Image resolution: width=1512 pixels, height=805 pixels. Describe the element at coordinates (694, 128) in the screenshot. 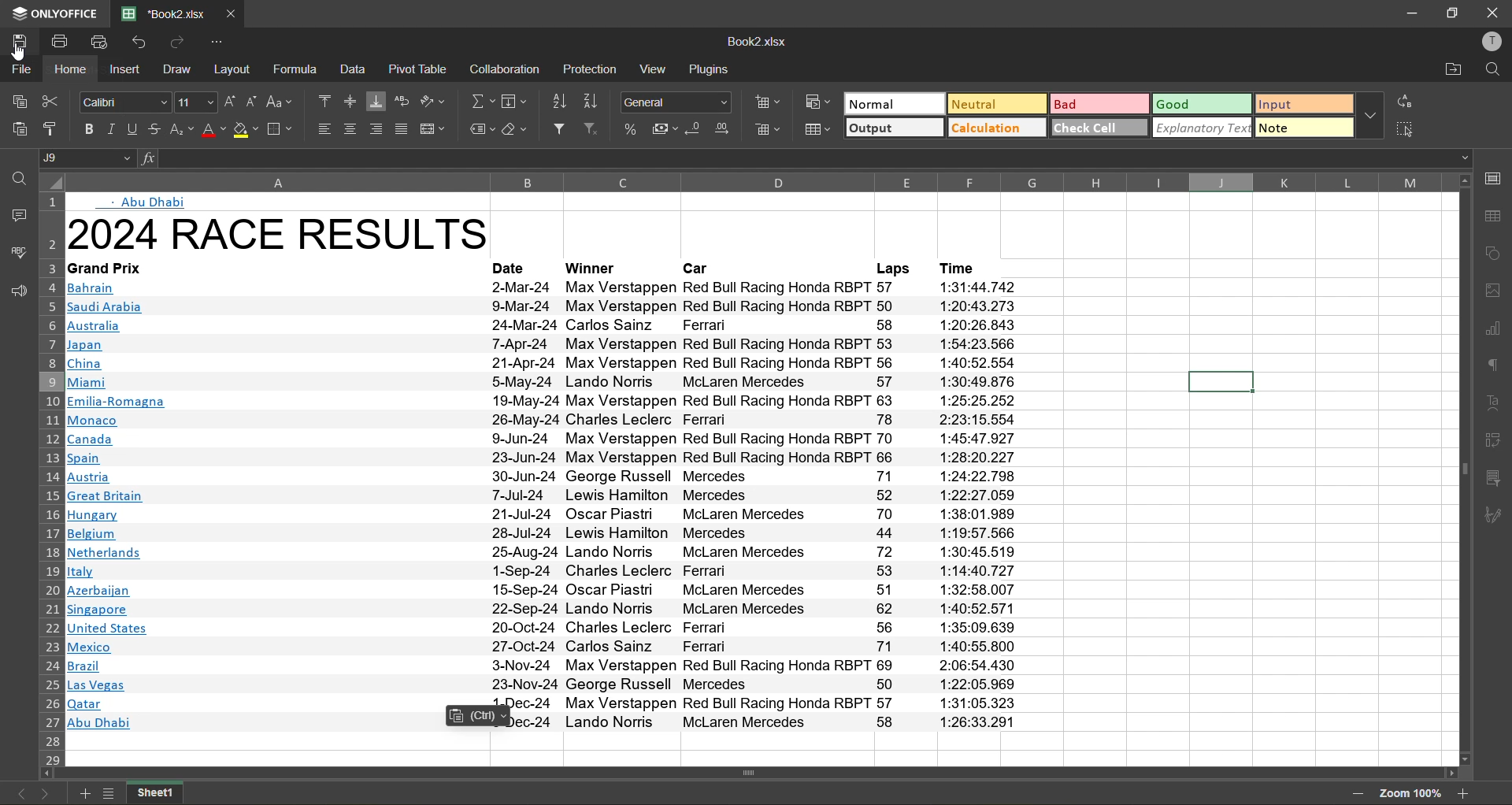

I see `decrease decimal` at that location.